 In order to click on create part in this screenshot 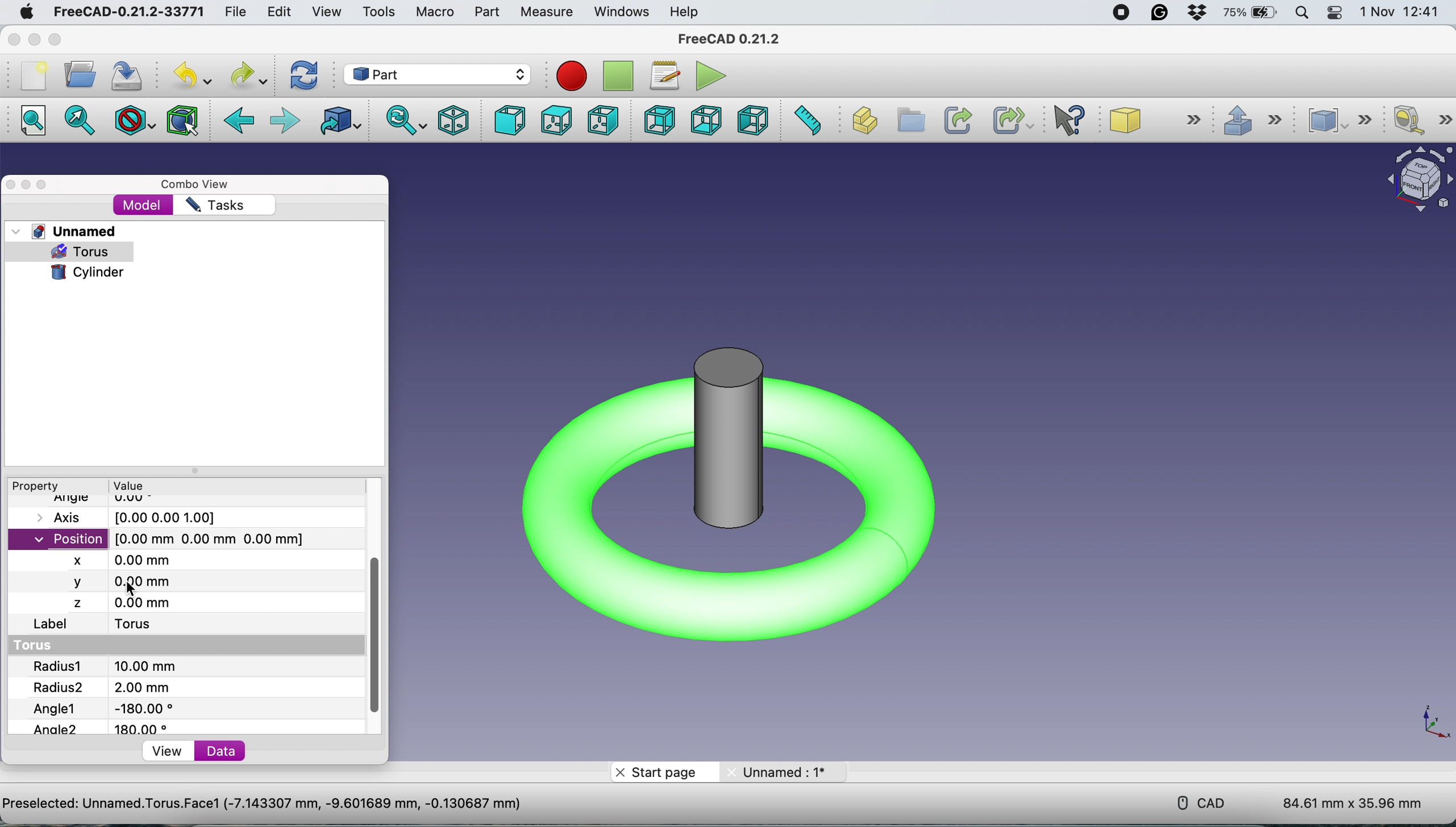, I will do `click(863, 123)`.